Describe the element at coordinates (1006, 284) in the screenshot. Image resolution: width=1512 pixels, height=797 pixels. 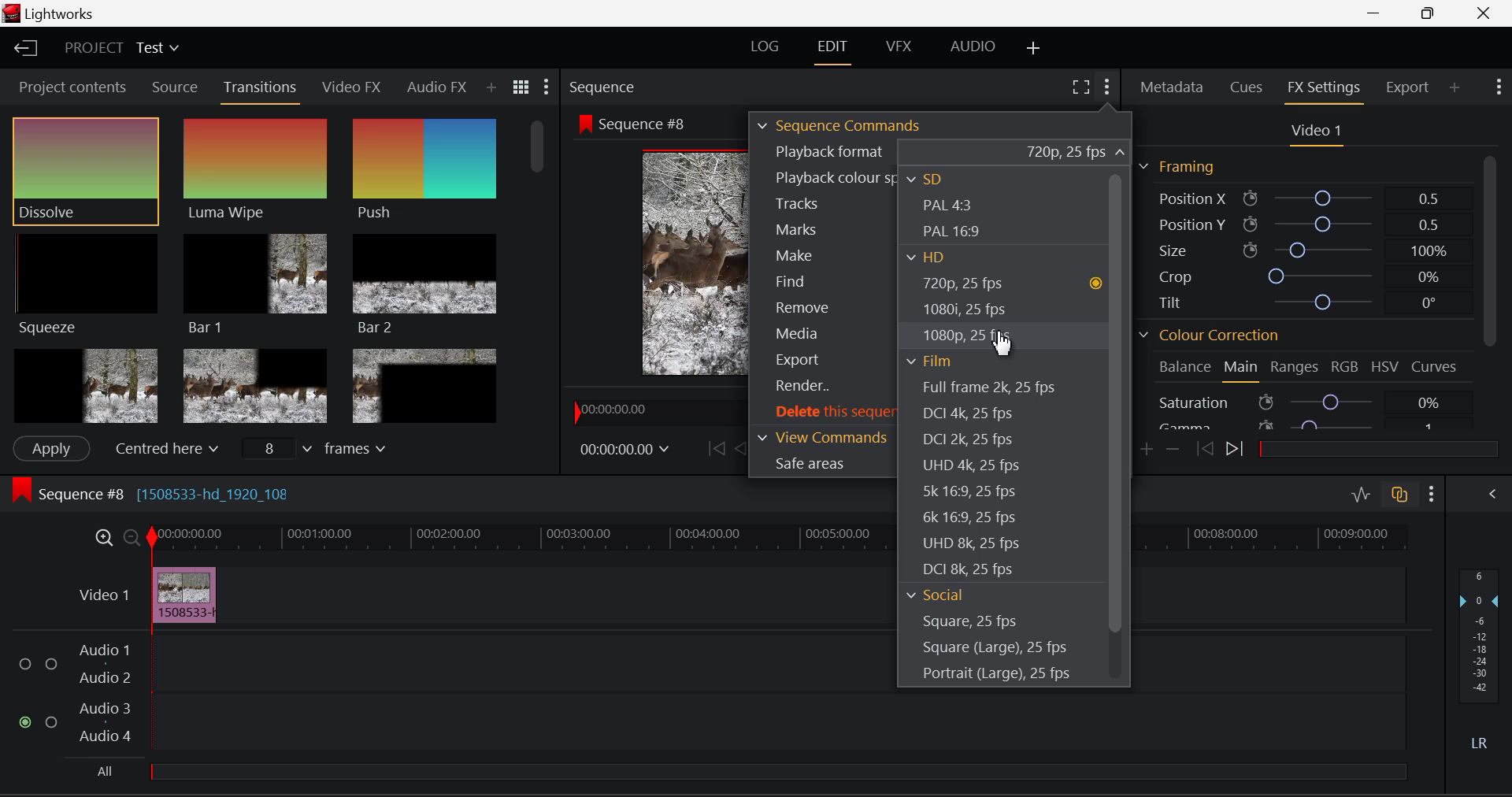
I see `720p, 25 fps` at that location.